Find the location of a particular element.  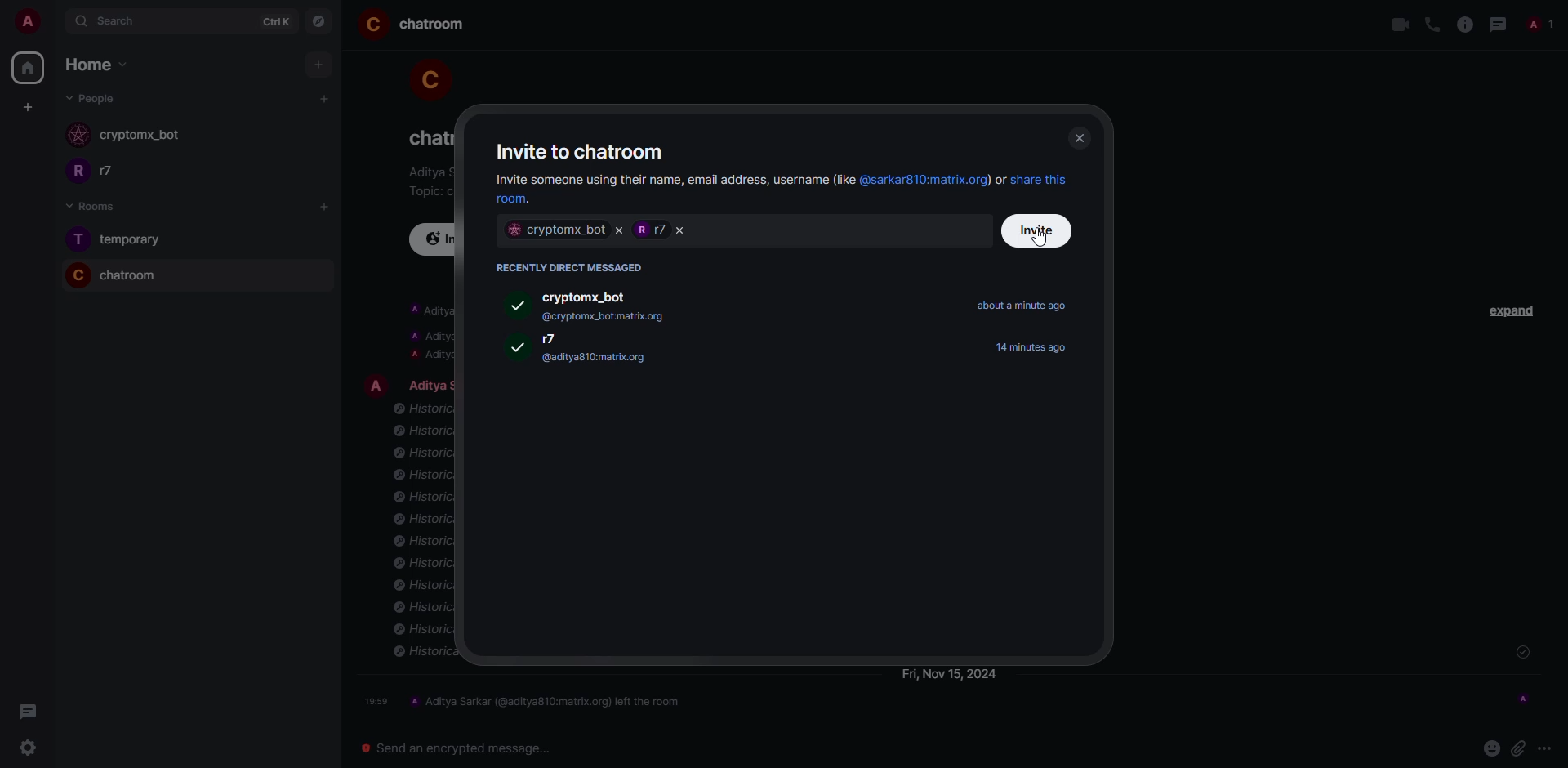

invite share is located at coordinates (671, 180).